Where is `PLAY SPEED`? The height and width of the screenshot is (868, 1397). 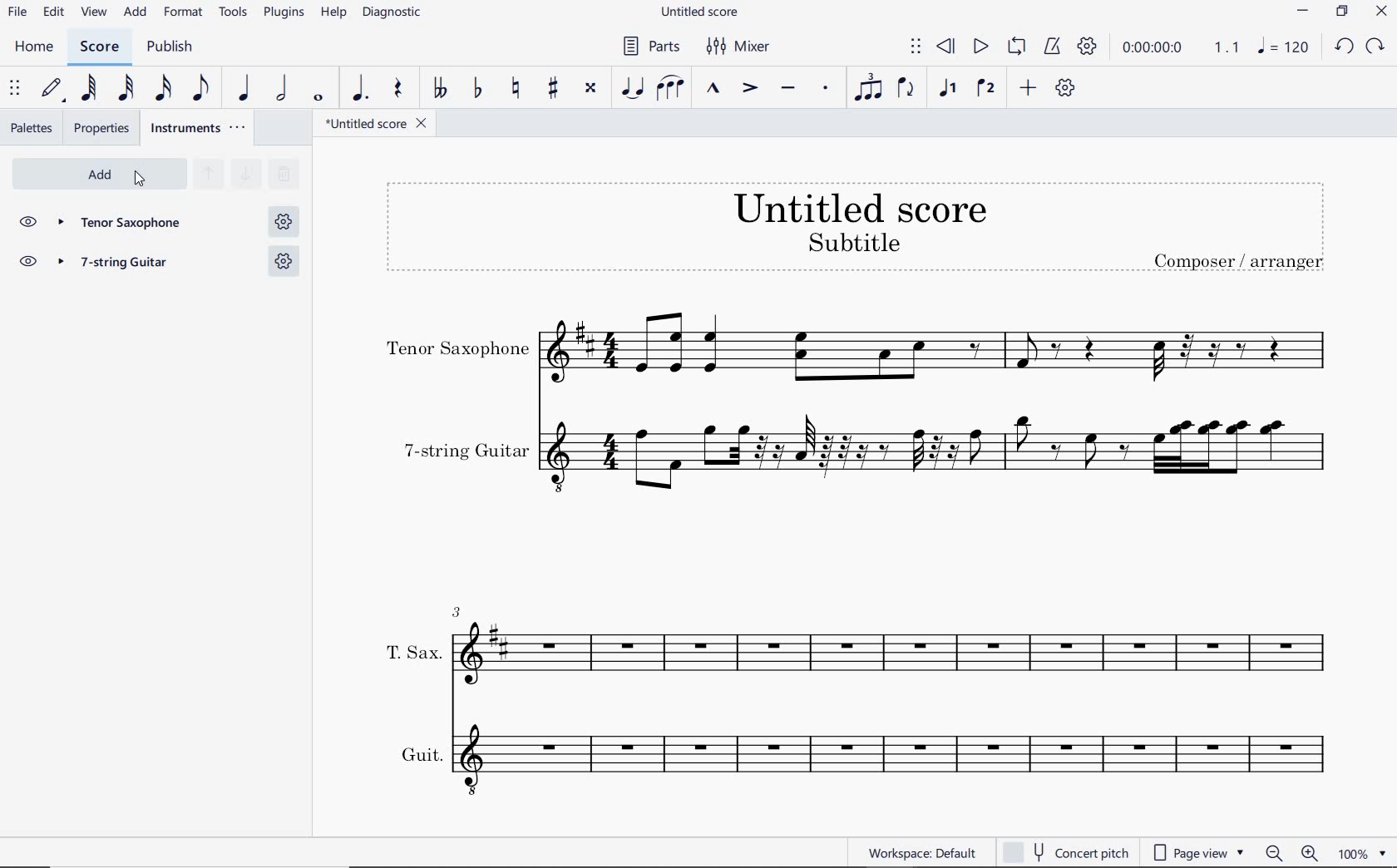 PLAY SPEED is located at coordinates (1177, 50).